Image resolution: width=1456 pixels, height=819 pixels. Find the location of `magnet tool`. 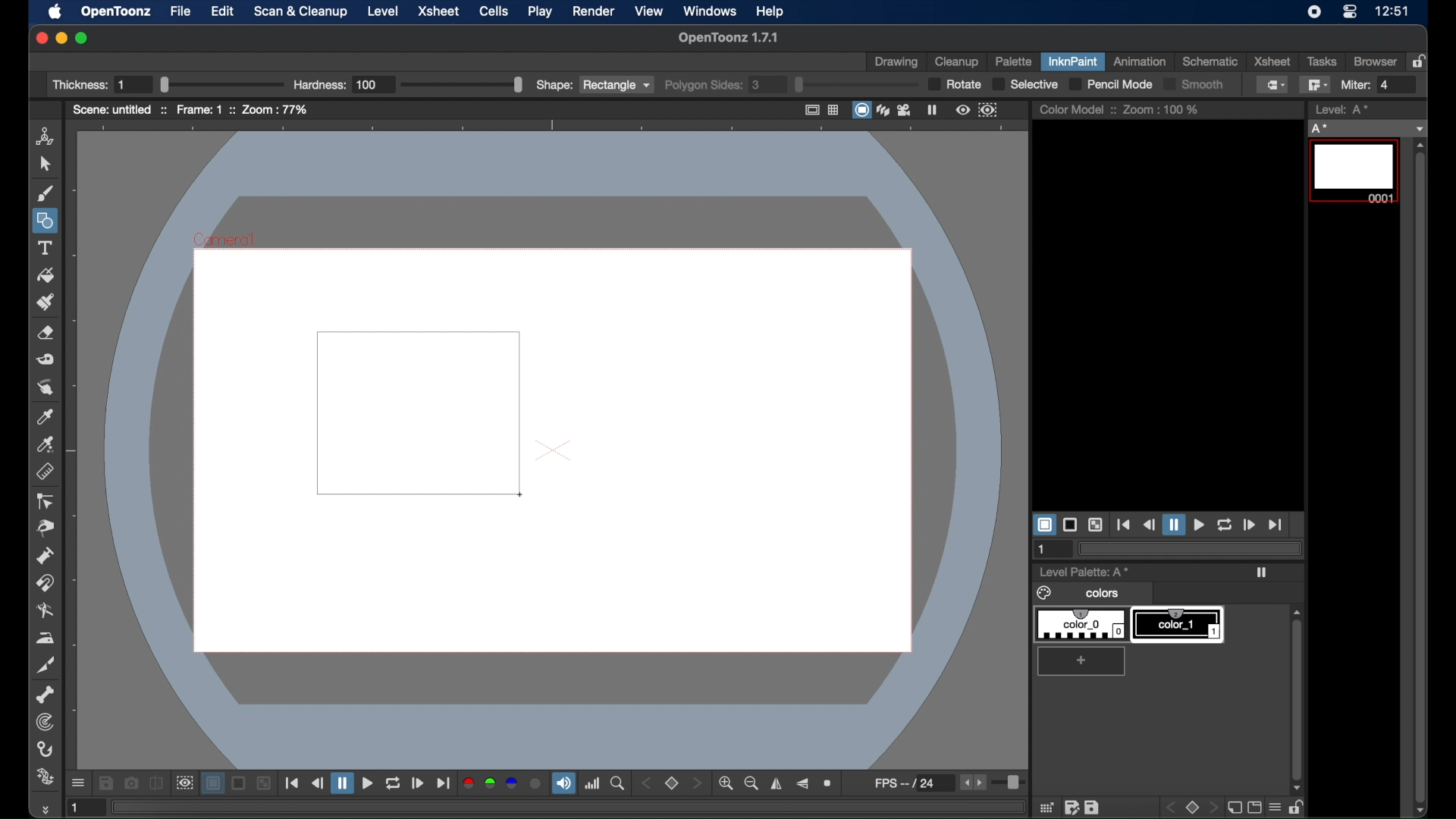

magnet tool is located at coordinates (45, 583).